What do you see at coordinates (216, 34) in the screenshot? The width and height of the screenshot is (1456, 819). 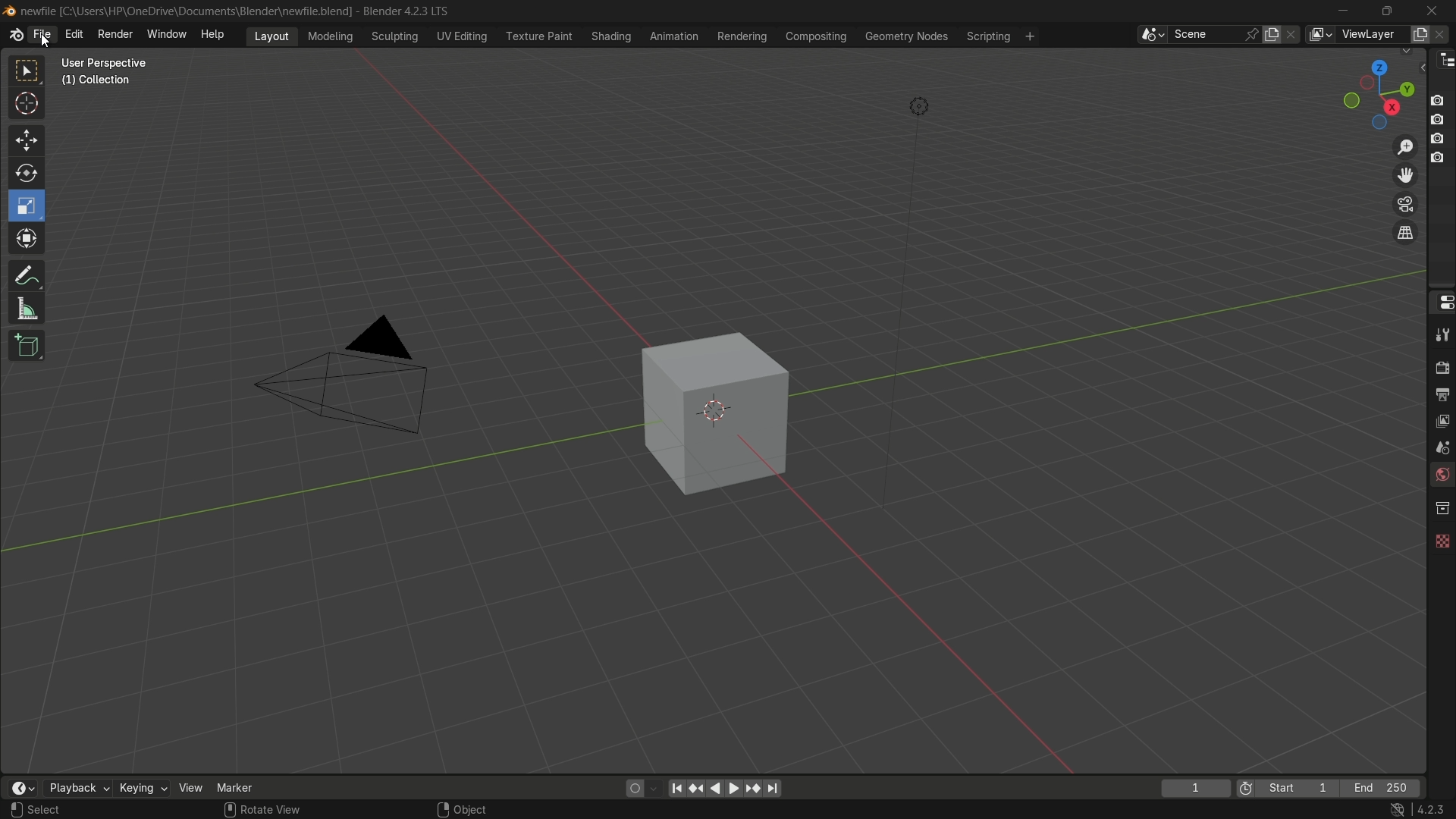 I see `help menu` at bounding box center [216, 34].